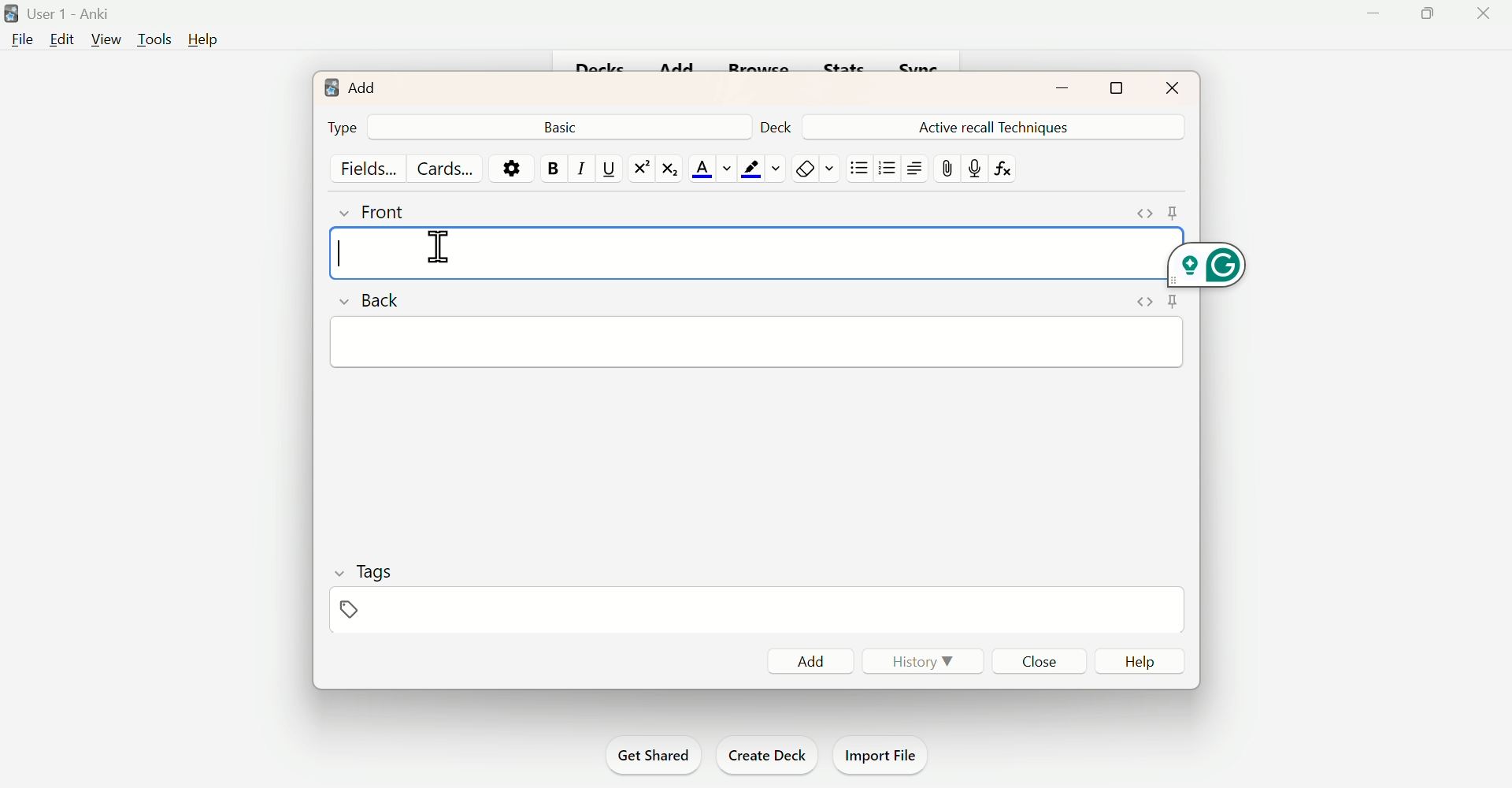  What do you see at coordinates (913, 167) in the screenshot?
I see `Text Alignment` at bounding box center [913, 167].